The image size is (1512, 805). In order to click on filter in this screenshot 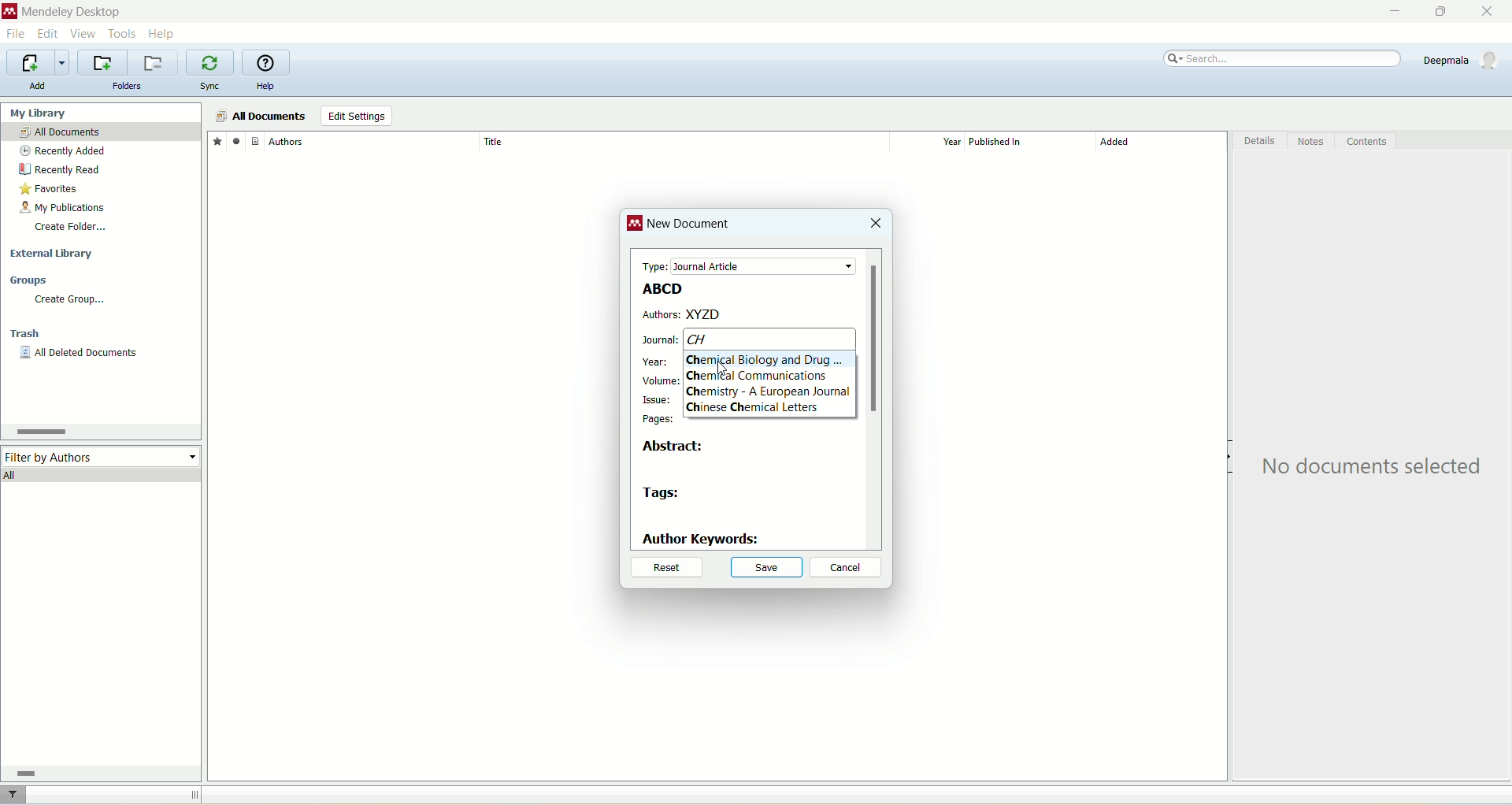, I will do `click(15, 795)`.